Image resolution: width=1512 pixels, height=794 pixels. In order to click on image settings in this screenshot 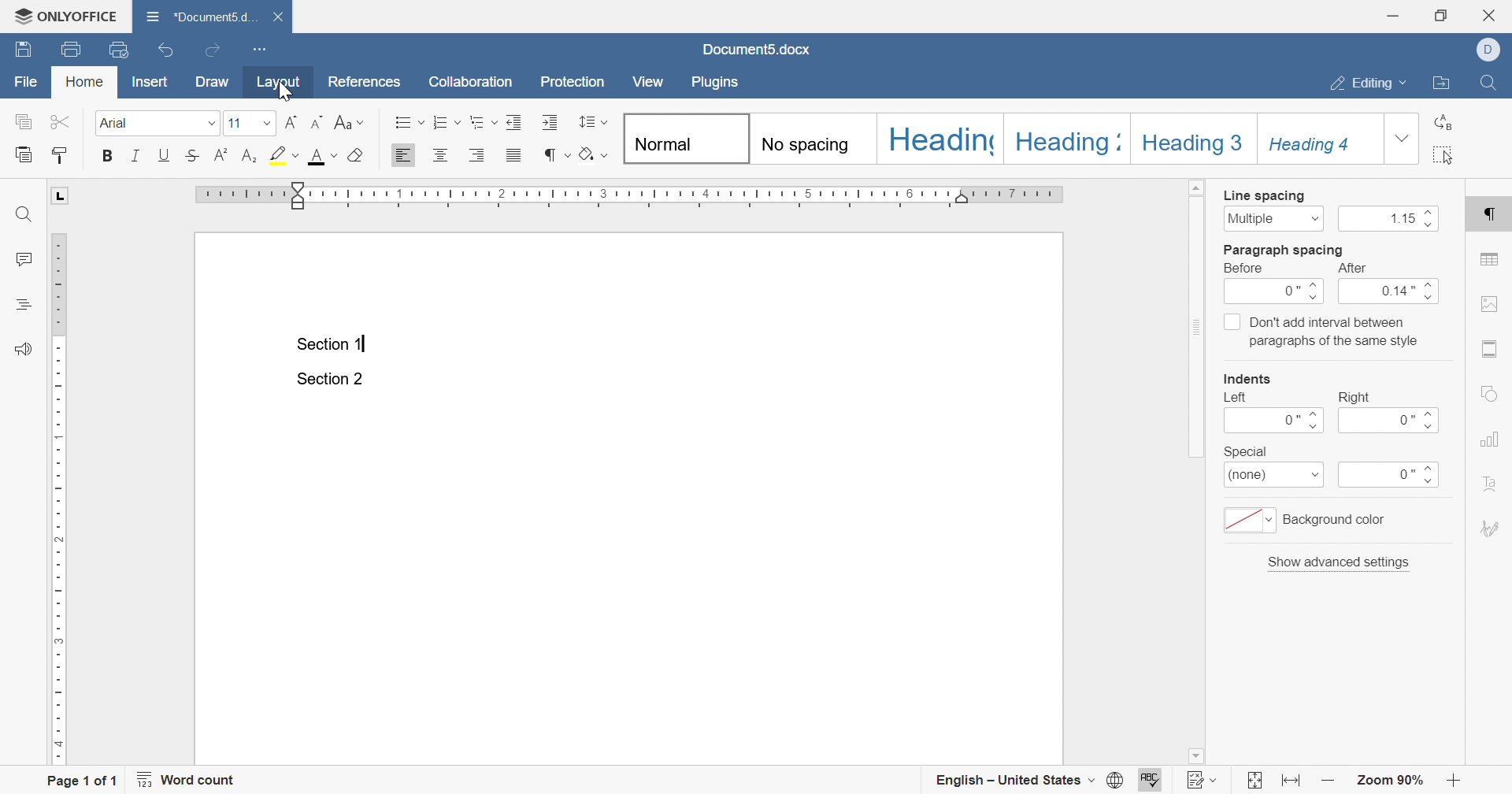, I will do `click(1488, 303)`.